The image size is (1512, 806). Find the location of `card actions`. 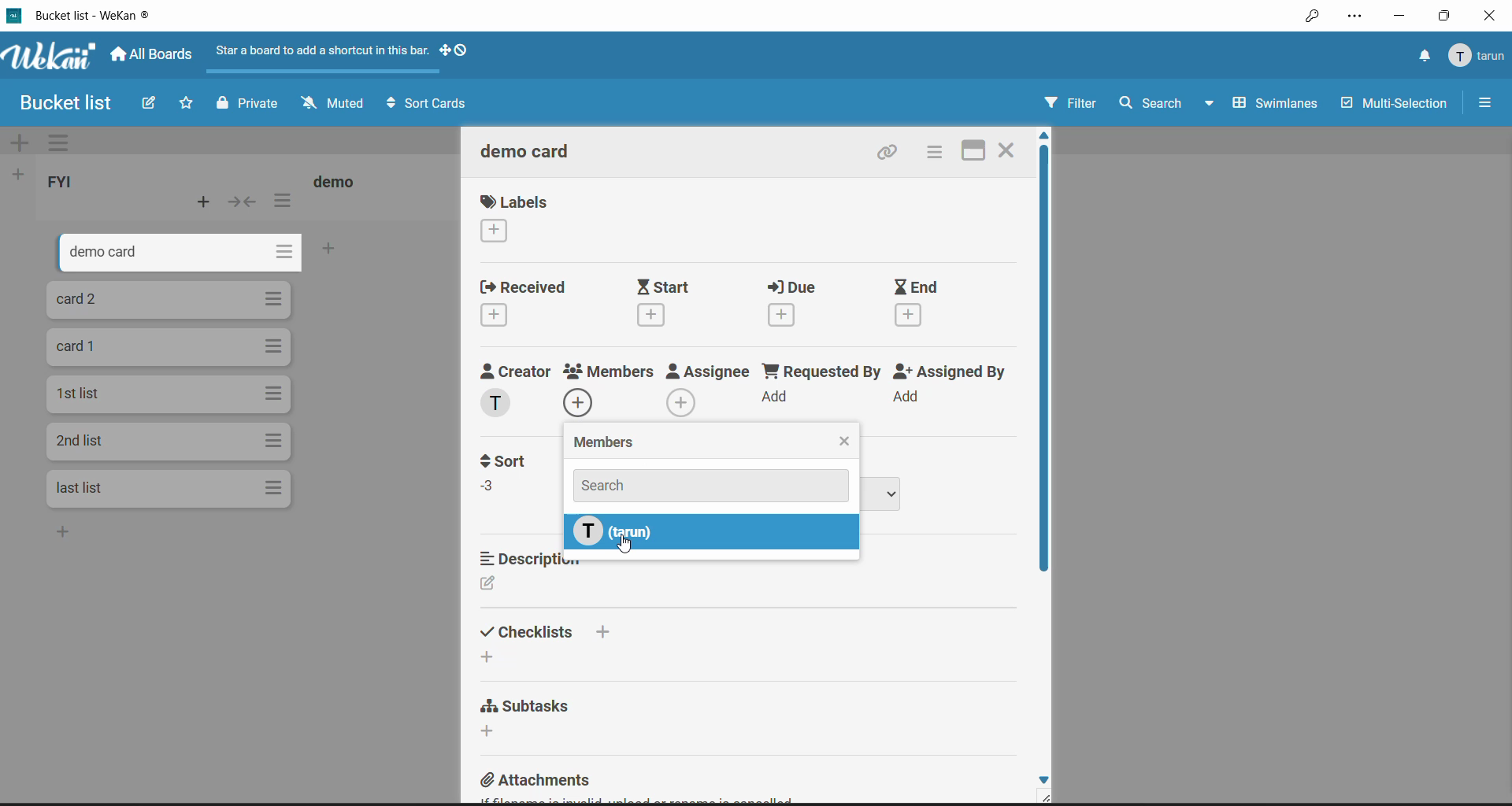

card actions is located at coordinates (274, 487).